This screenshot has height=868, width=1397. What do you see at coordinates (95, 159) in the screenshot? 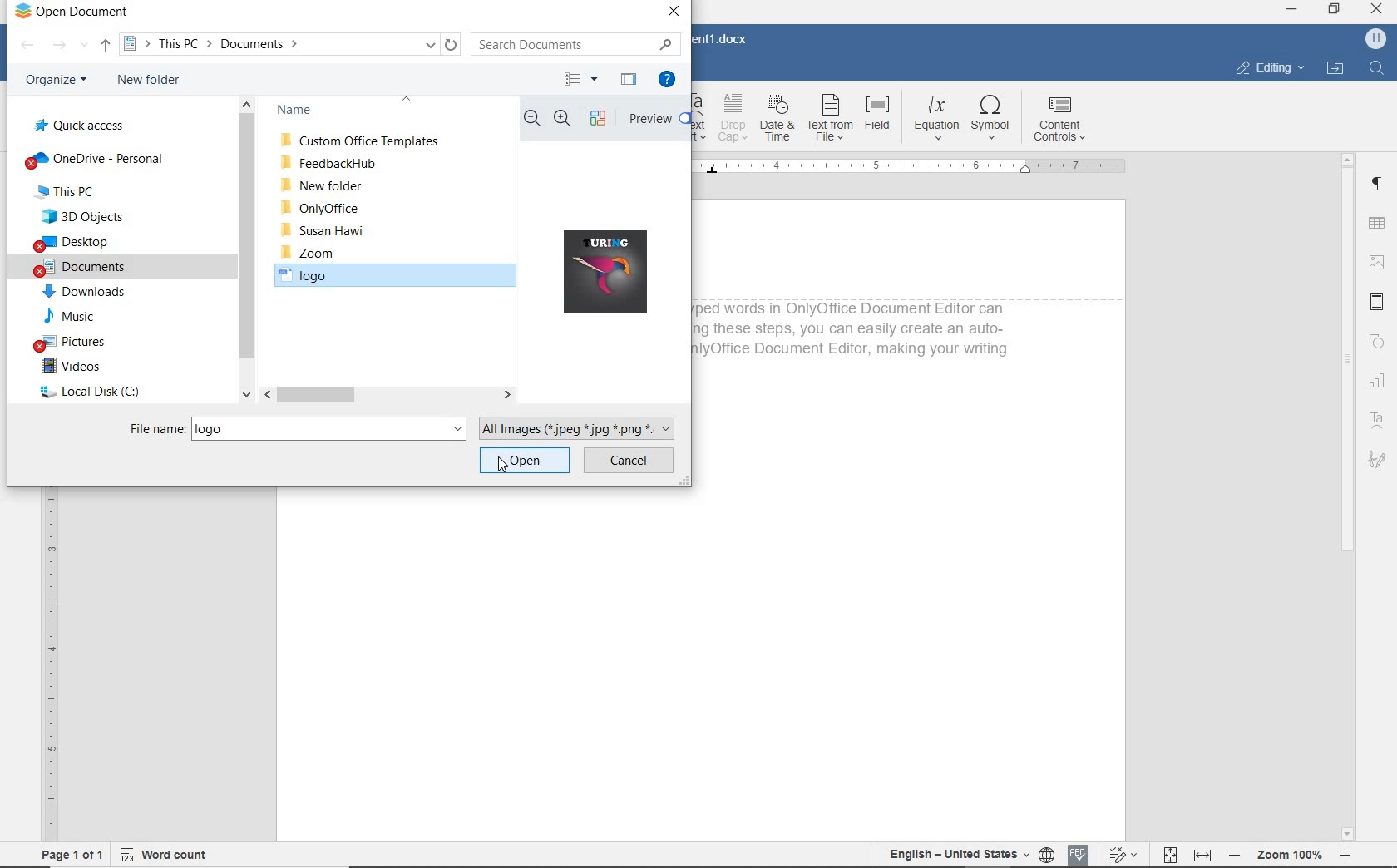
I see `ONEDRIVE - PERSONAL` at bounding box center [95, 159].